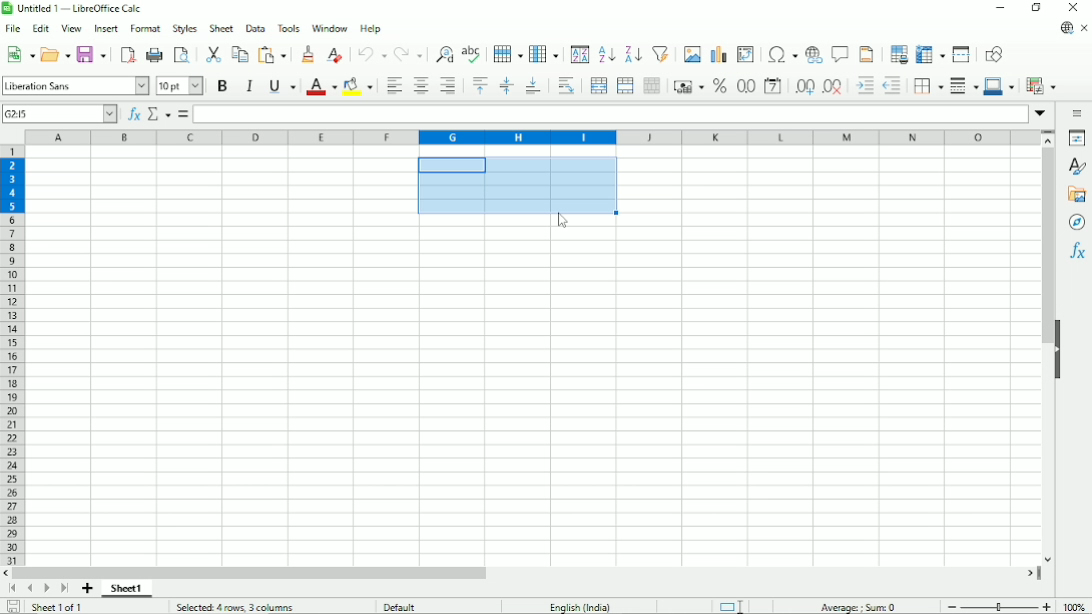  I want to click on Insert hyperlink, so click(814, 53).